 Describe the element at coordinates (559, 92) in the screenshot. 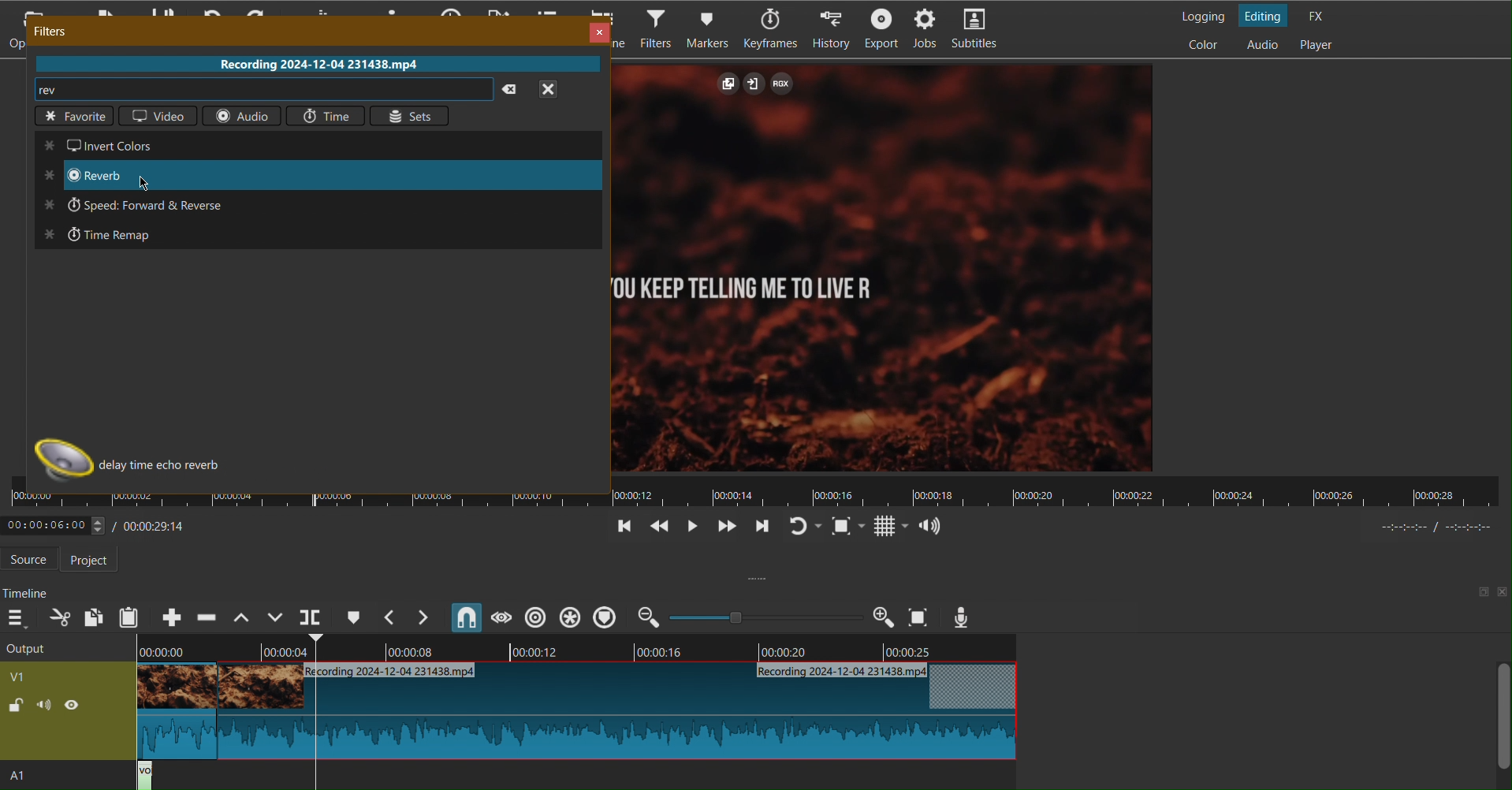

I see `close` at that location.